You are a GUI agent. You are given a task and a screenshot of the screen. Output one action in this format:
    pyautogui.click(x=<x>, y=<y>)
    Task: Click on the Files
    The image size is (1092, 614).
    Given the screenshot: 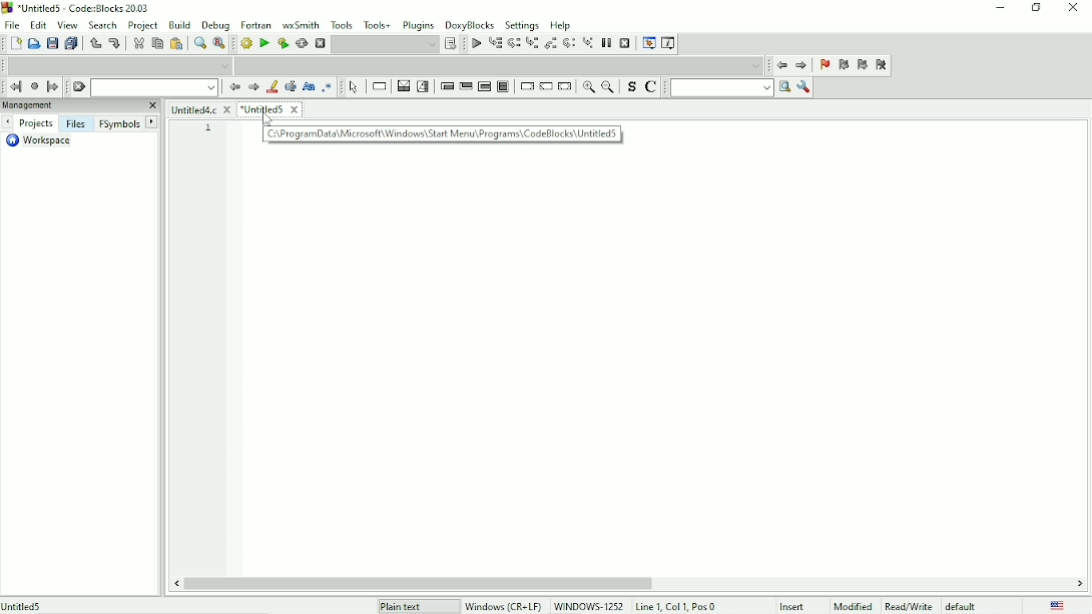 What is the action you would take?
    pyautogui.click(x=78, y=124)
    